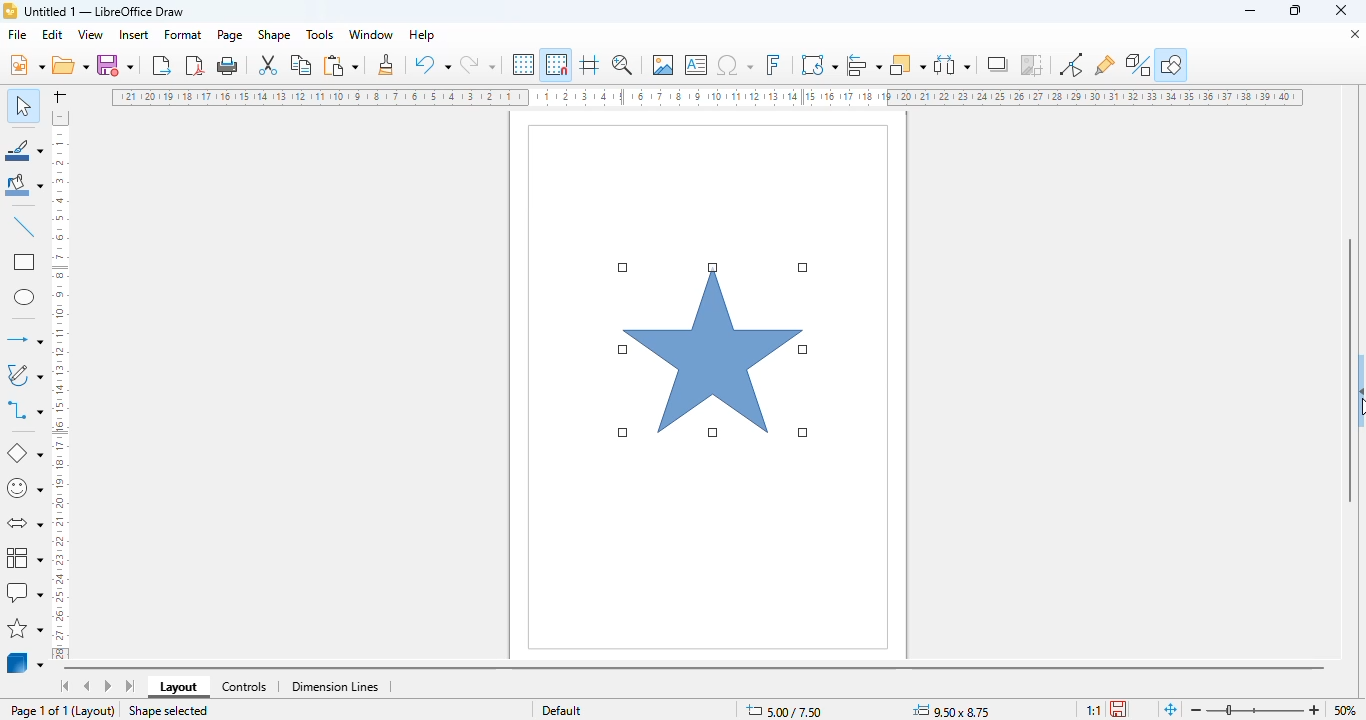  What do you see at coordinates (23, 187) in the screenshot?
I see `fill color` at bounding box center [23, 187].